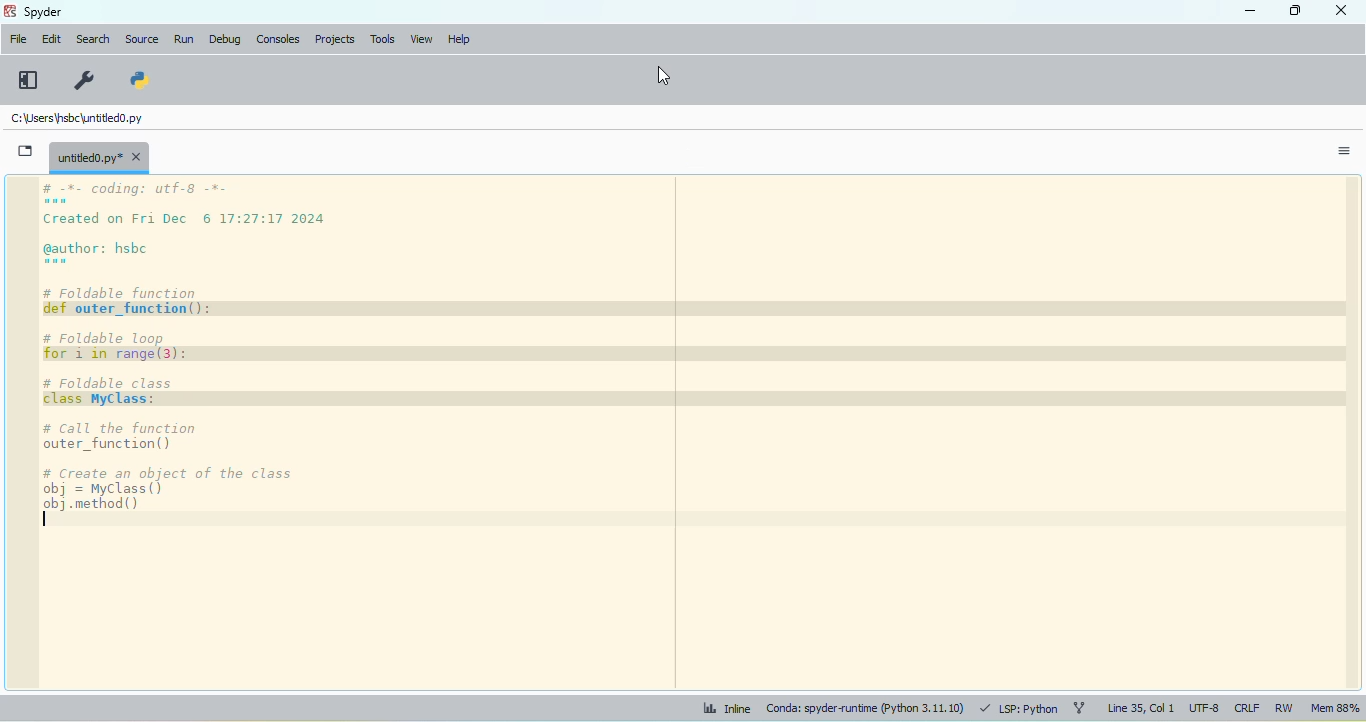 The width and height of the screenshot is (1366, 722). Describe the element at coordinates (99, 157) in the screenshot. I see `untitled0.py` at that location.